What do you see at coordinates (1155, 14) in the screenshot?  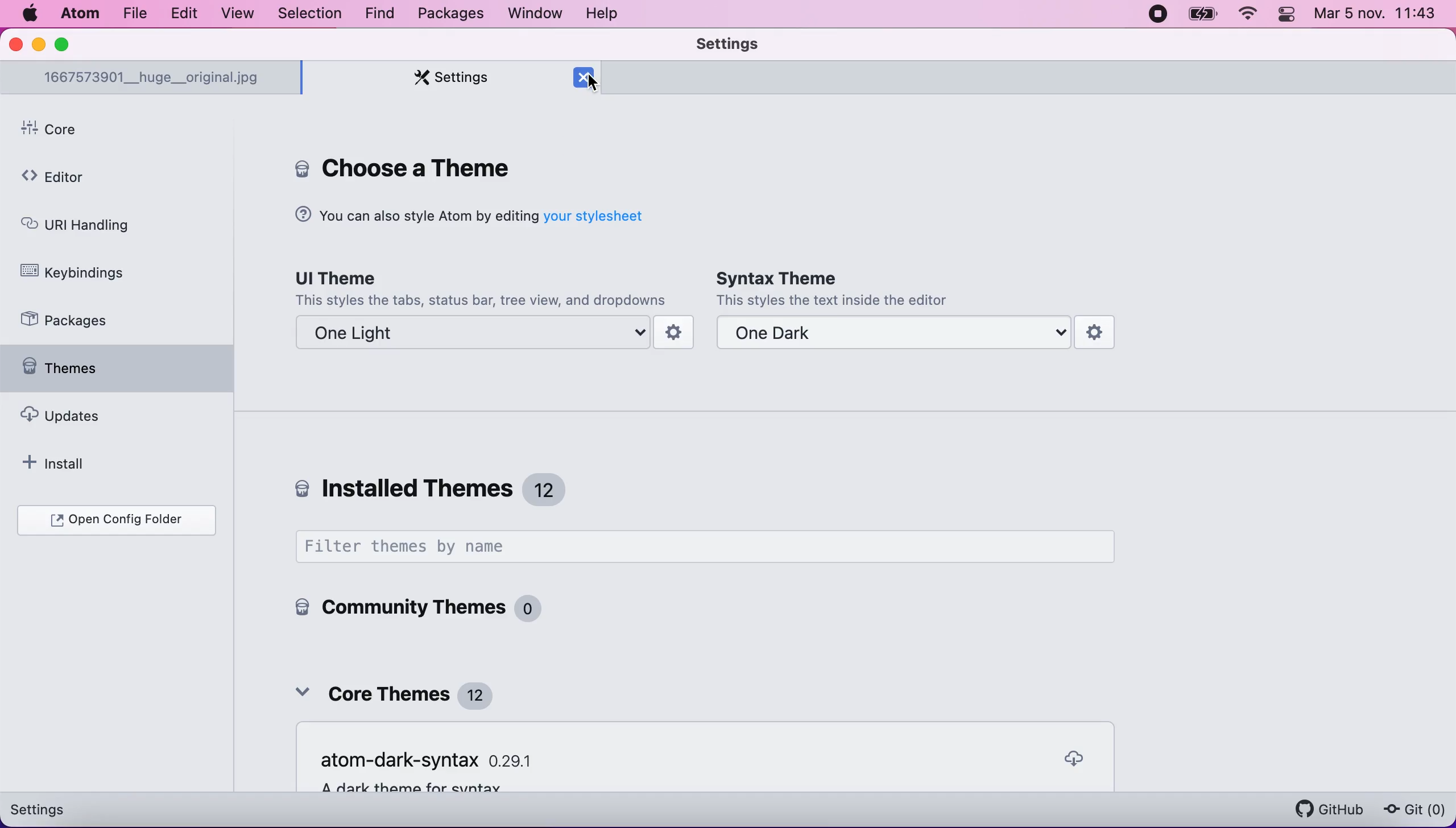 I see `recording stopped` at bounding box center [1155, 14].